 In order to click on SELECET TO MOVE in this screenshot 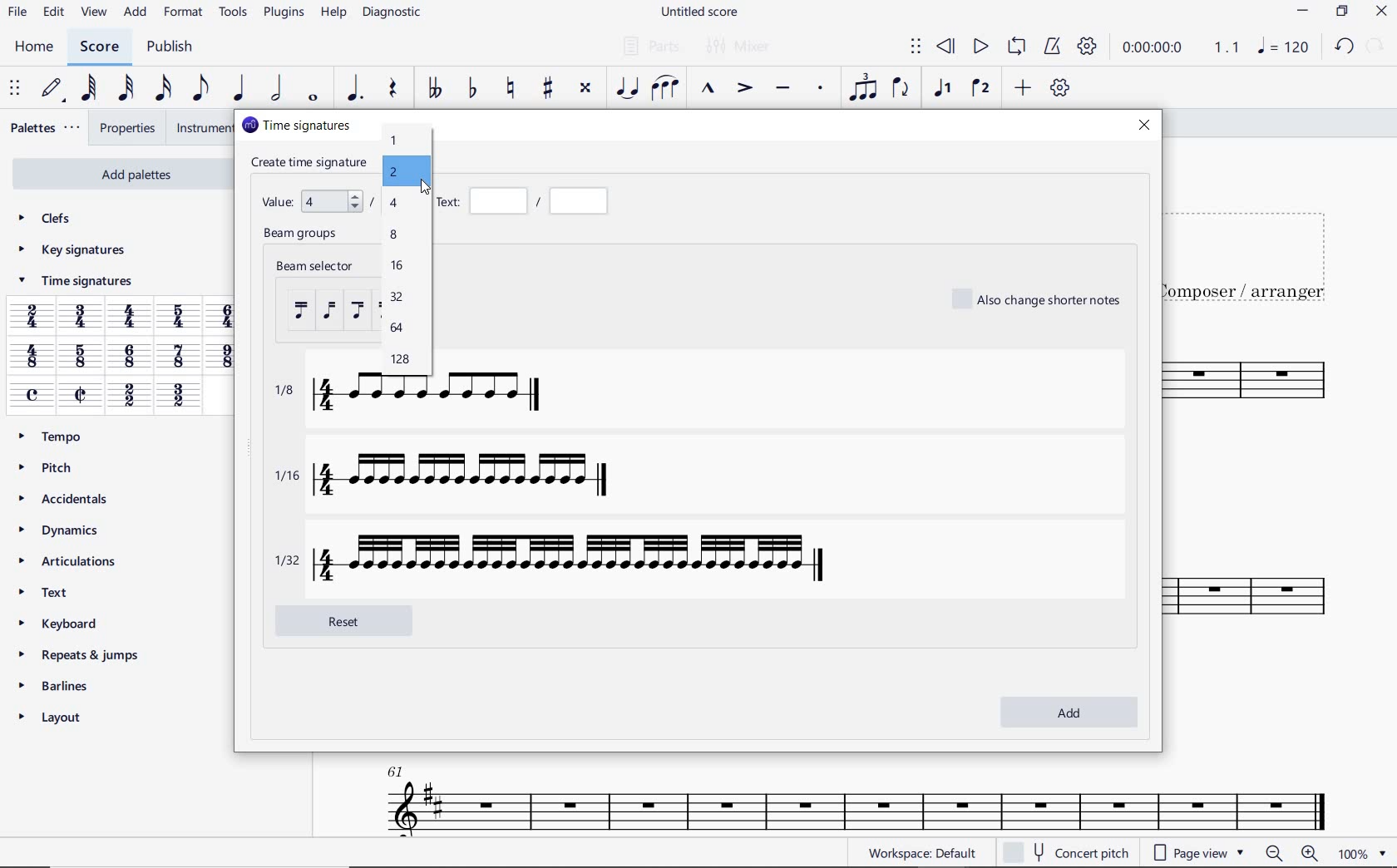, I will do `click(17, 90)`.